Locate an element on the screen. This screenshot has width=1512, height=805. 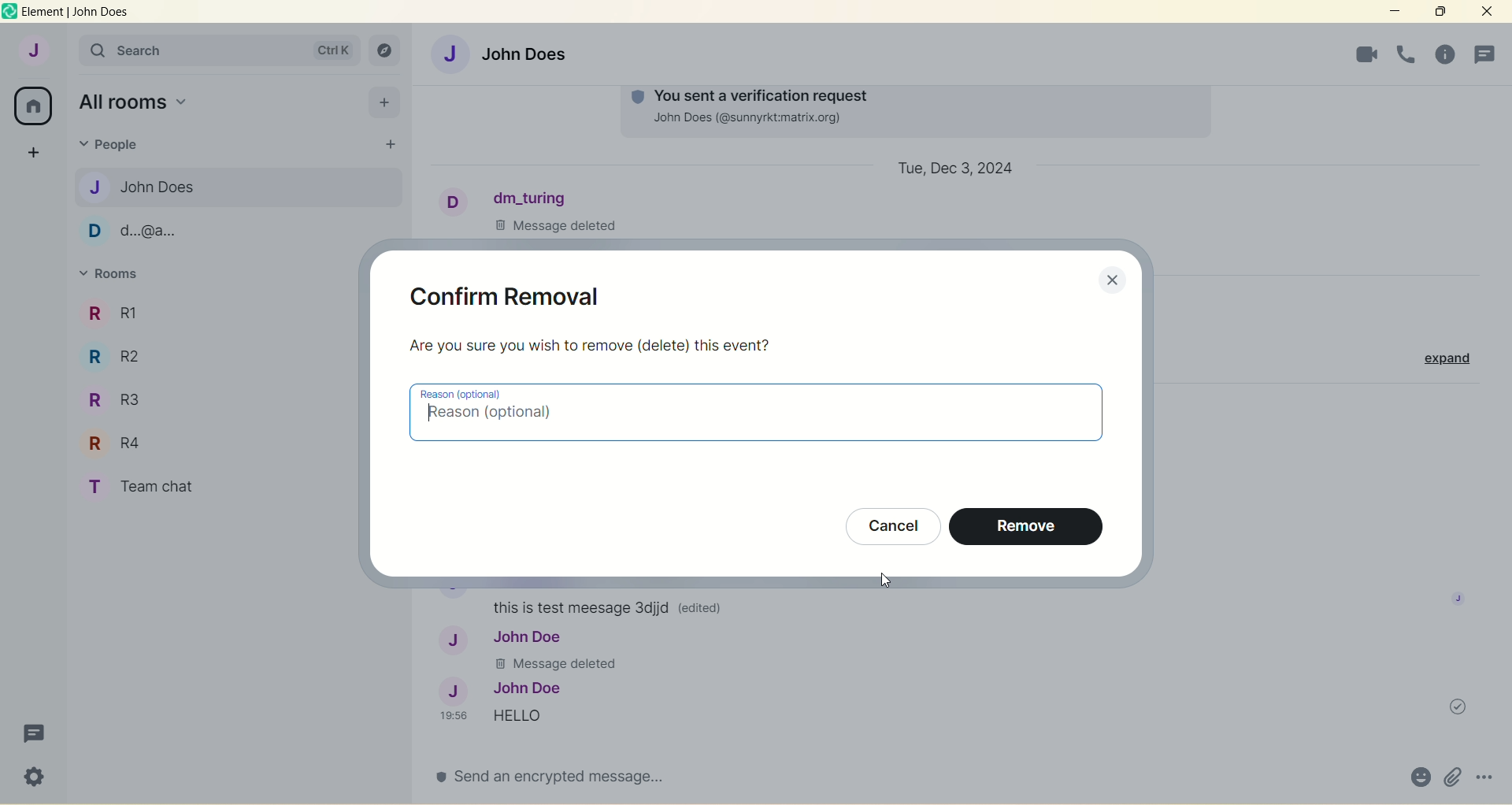
threads is located at coordinates (31, 733).